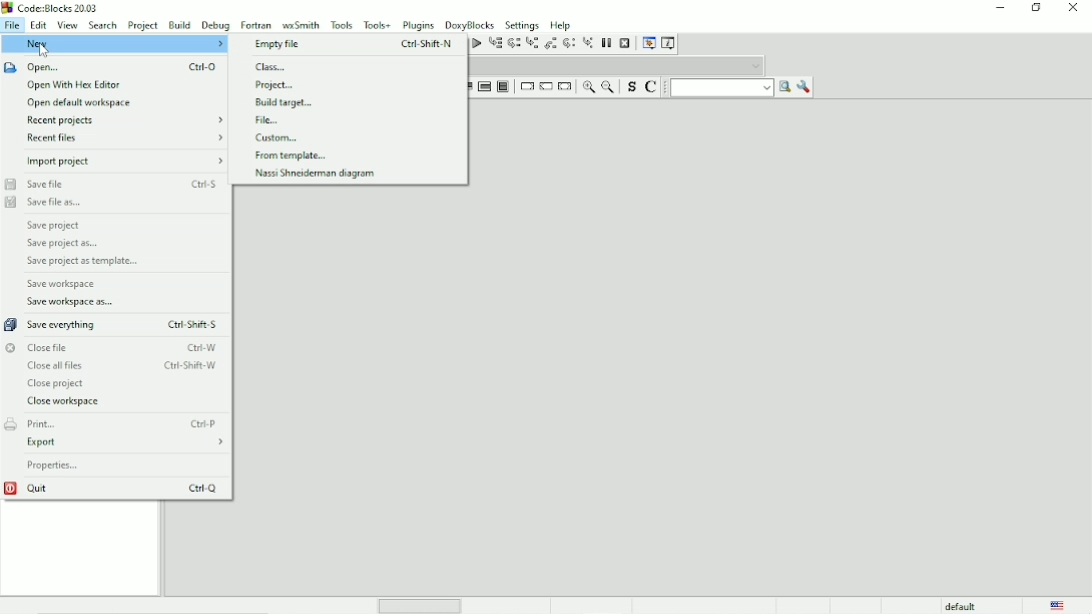 This screenshot has width=1092, height=614. I want to click on Open, so click(114, 67).